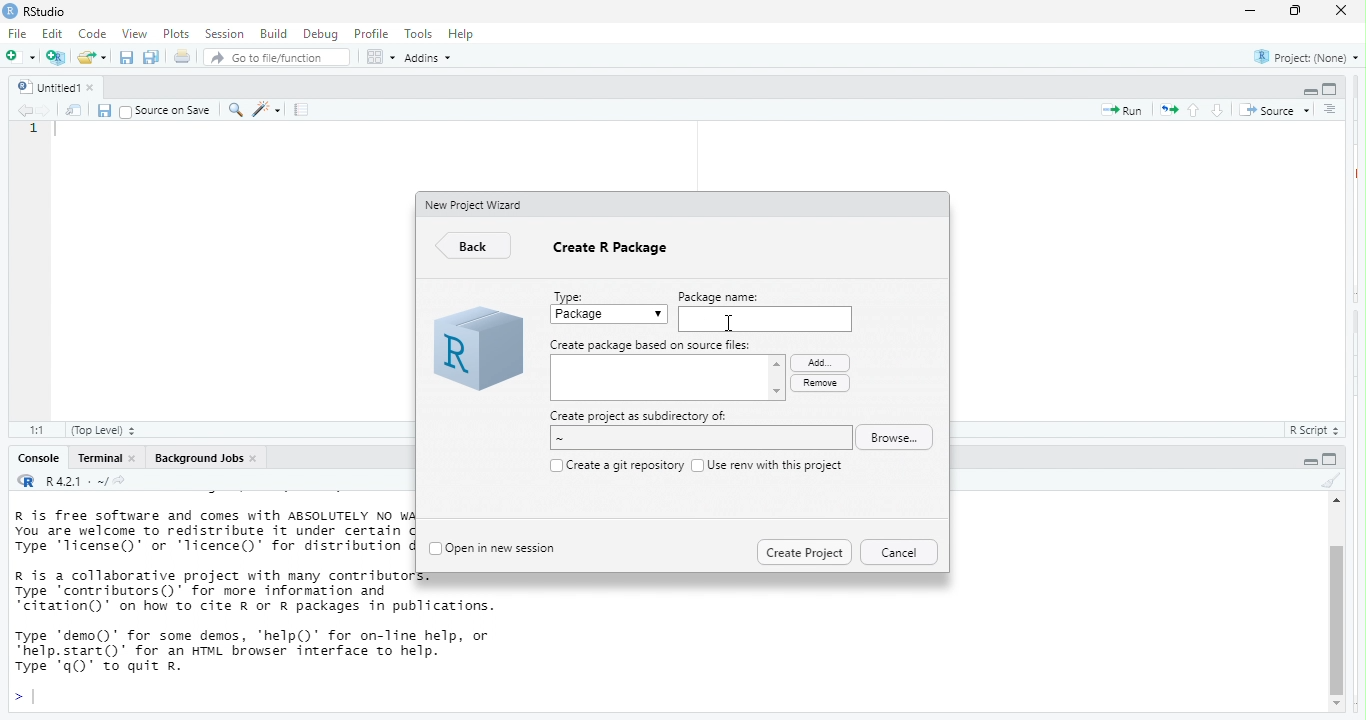 This screenshot has height=720, width=1366. Describe the element at coordinates (19, 57) in the screenshot. I see `new file` at that location.